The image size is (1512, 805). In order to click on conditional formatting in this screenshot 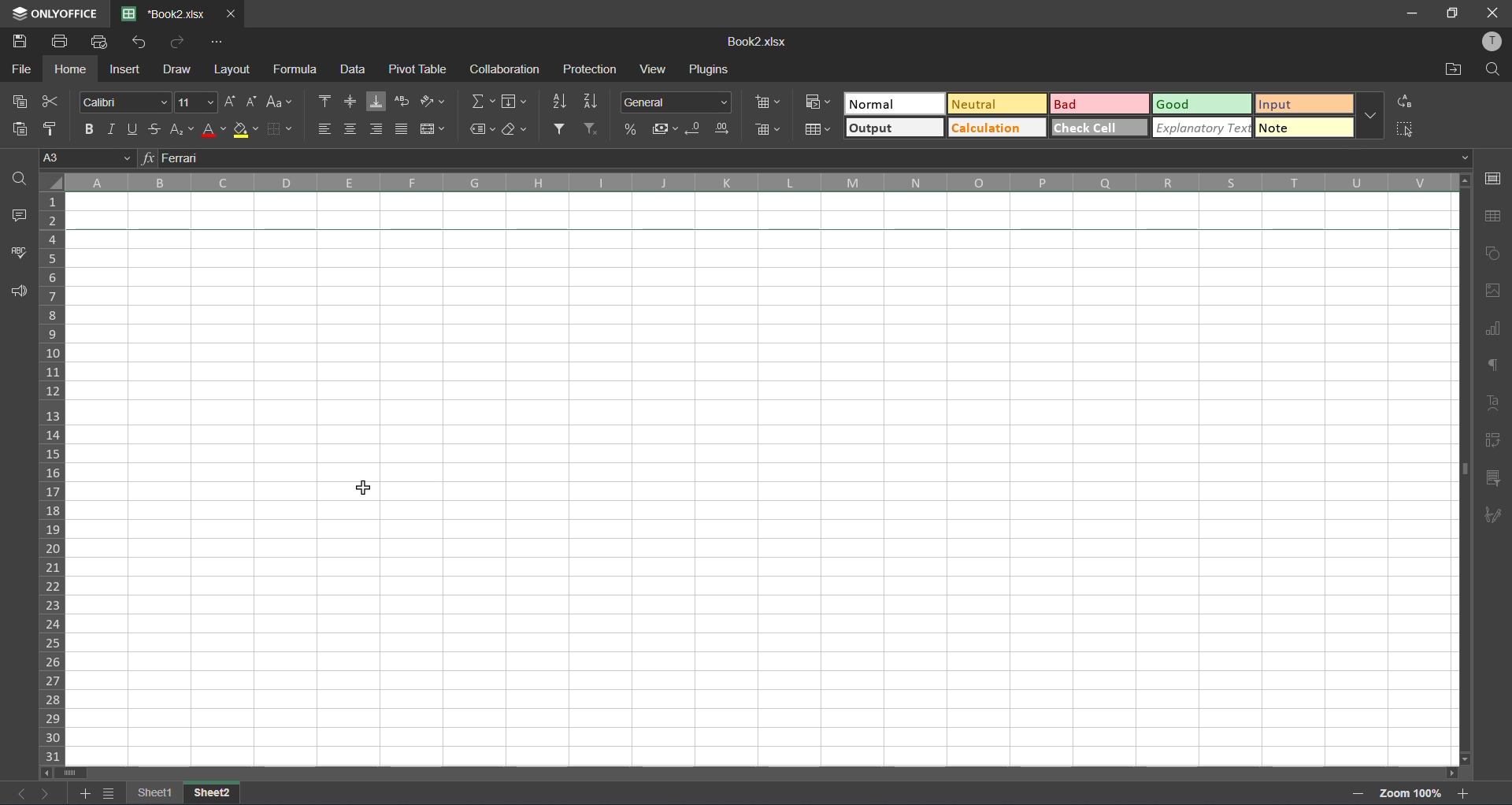, I will do `click(822, 104)`.